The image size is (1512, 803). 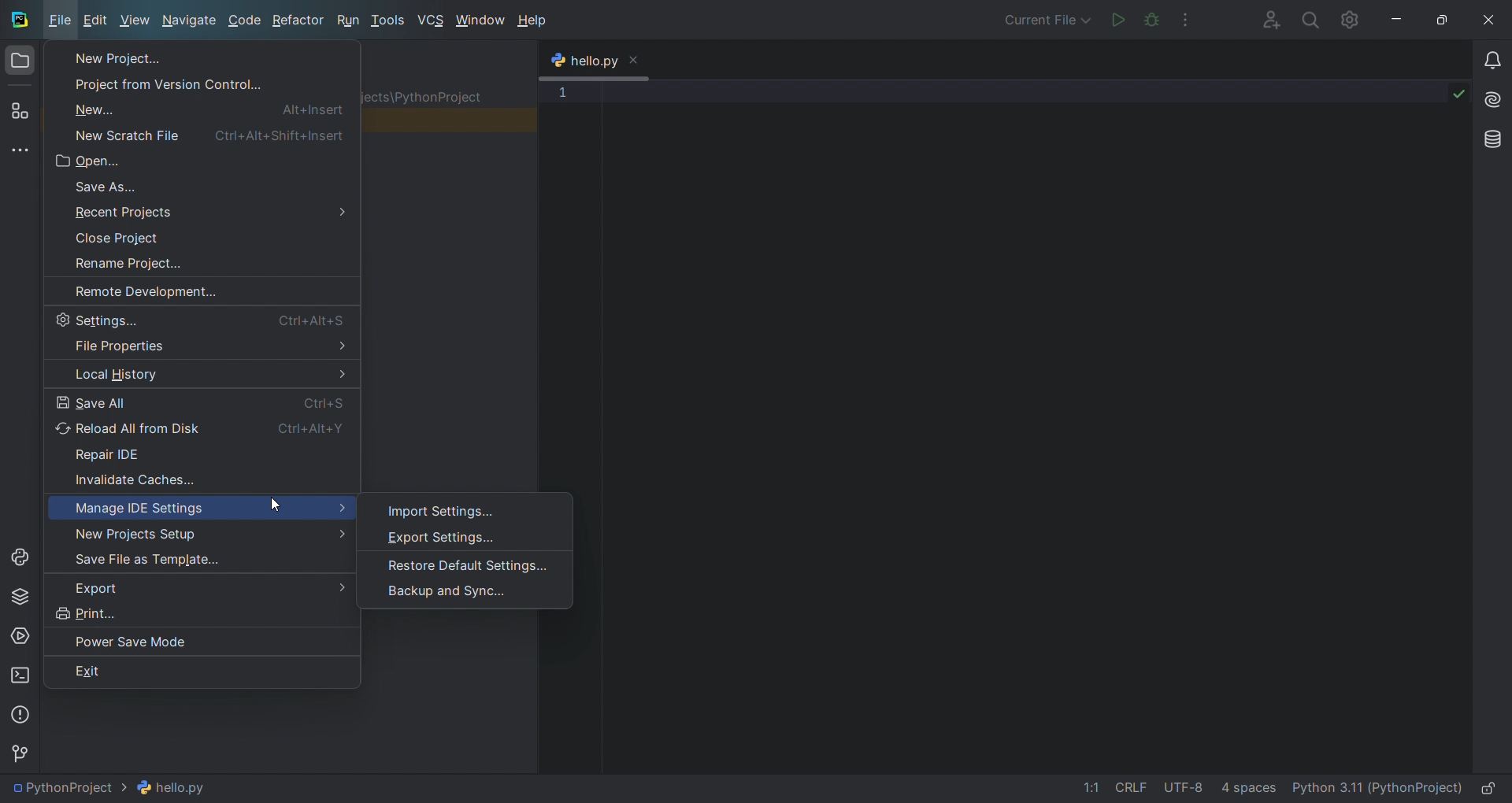 I want to click on services, so click(x=20, y=638).